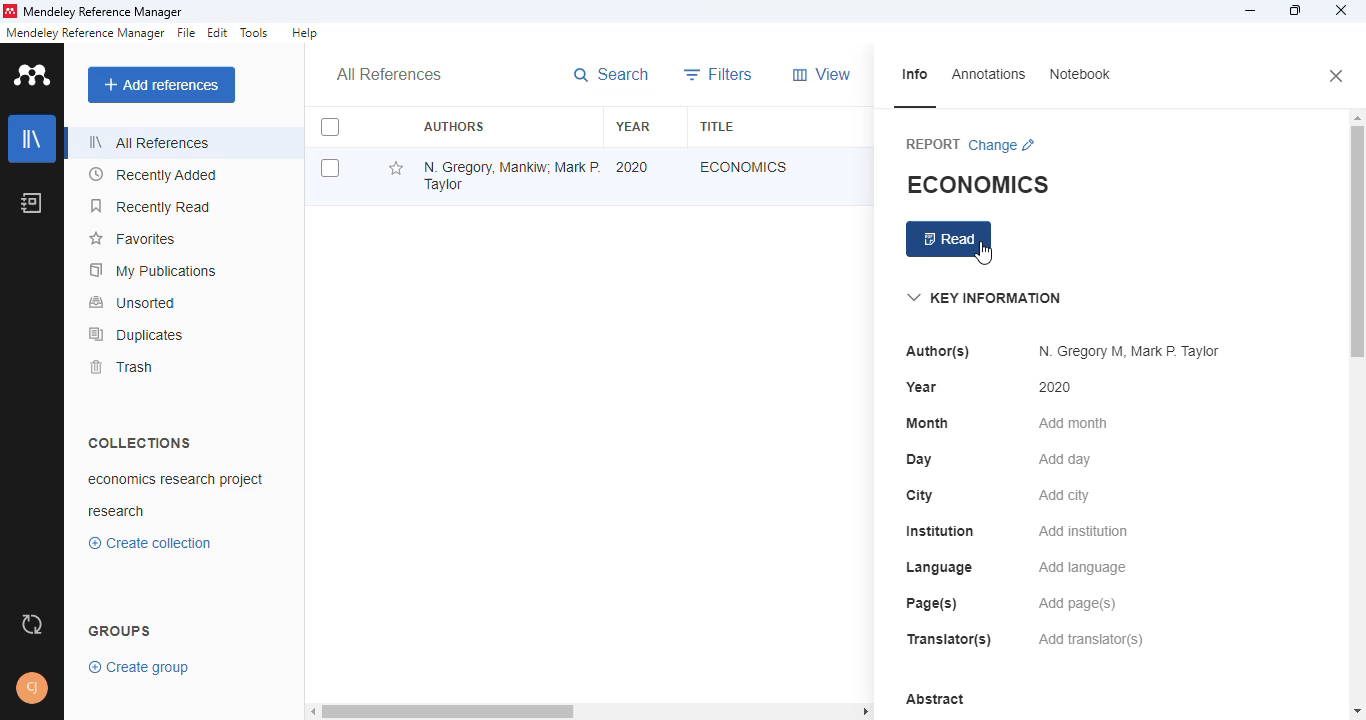 The height and width of the screenshot is (720, 1366). Describe the element at coordinates (154, 271) in the screenshot. I see `my publications` at that location.